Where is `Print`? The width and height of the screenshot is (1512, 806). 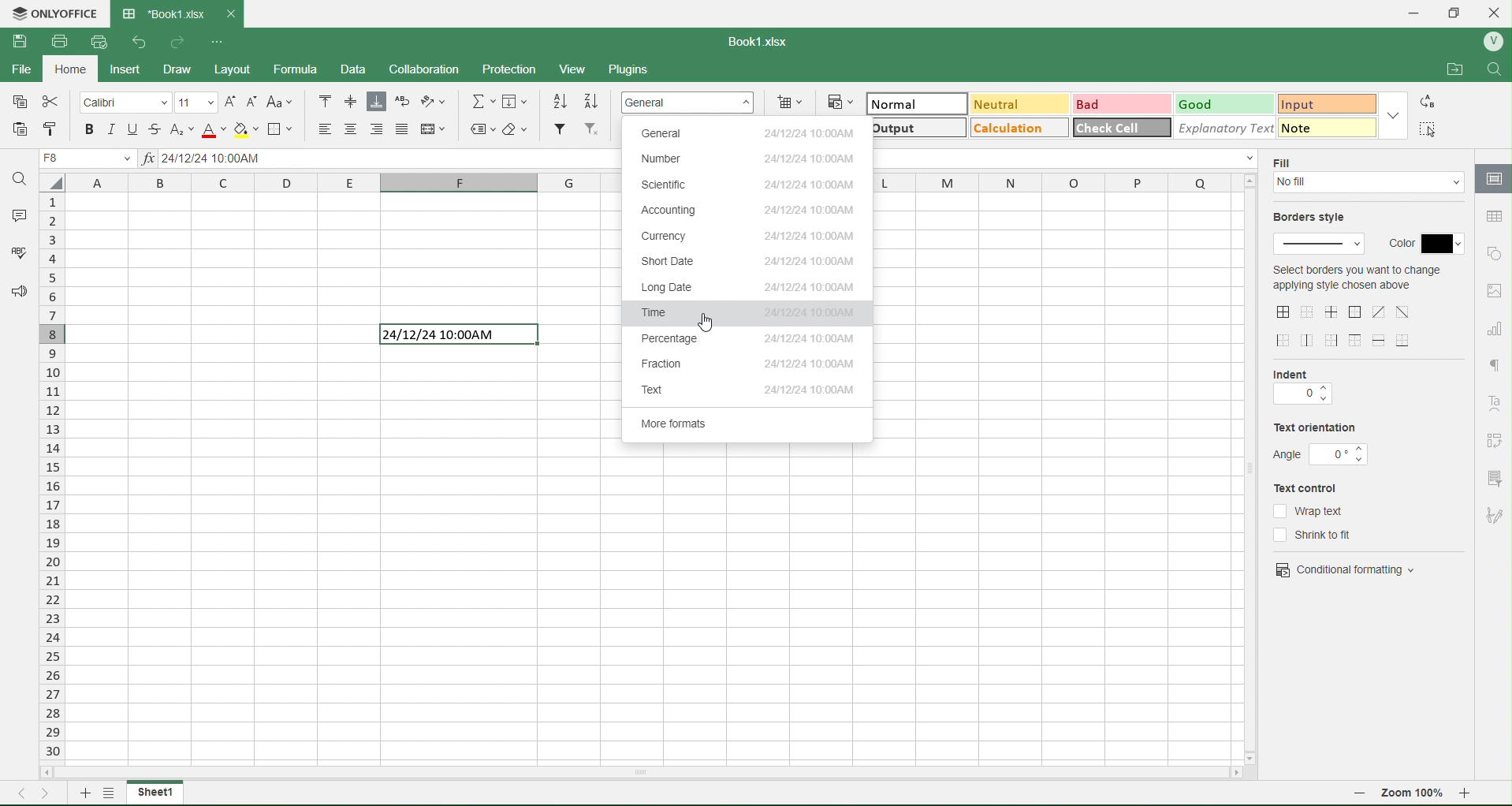
Print is located at coordinates (58, 40).